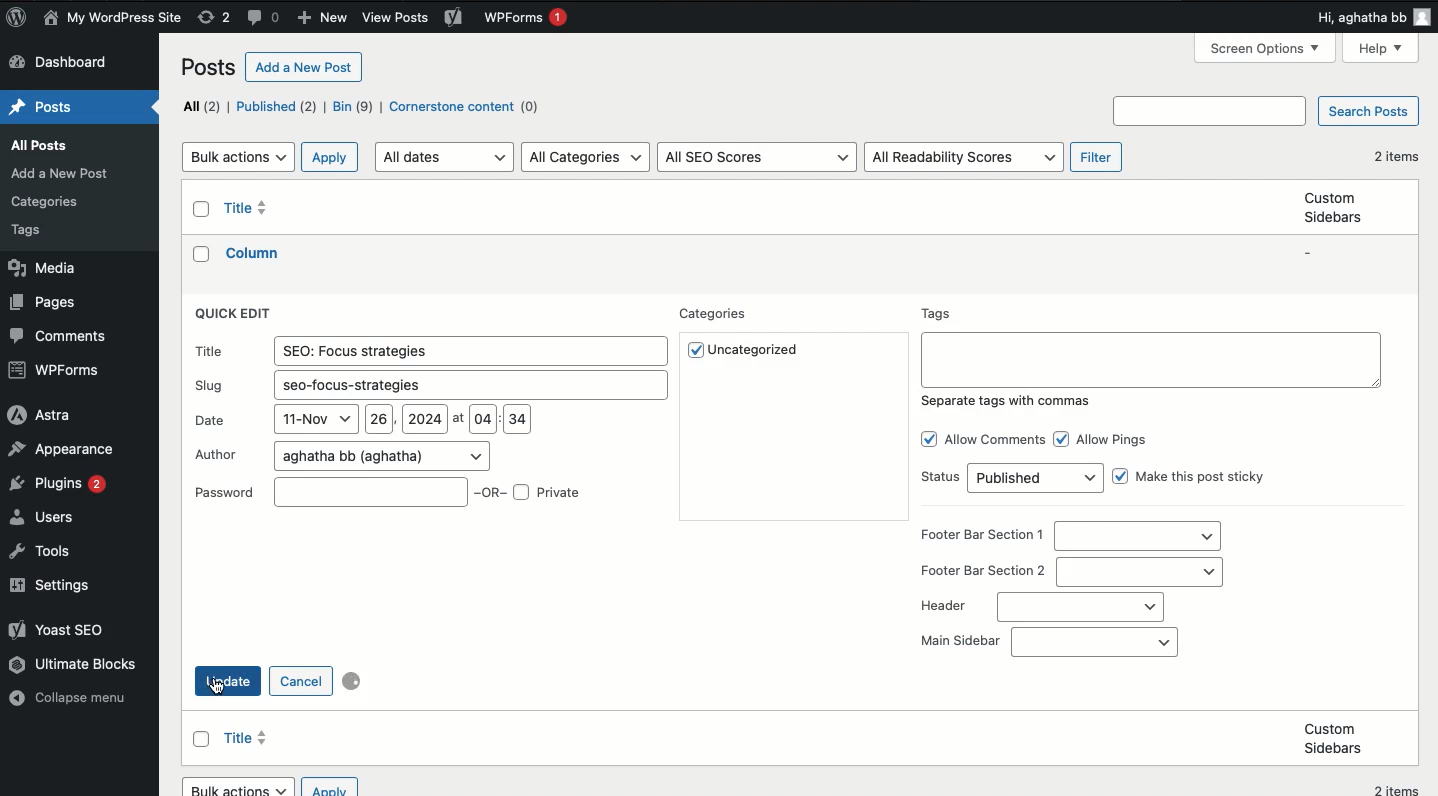 The image size is (1438, 796). Describe the element at coordinates (202, 106) in the screenshot. I see `All` at that location.